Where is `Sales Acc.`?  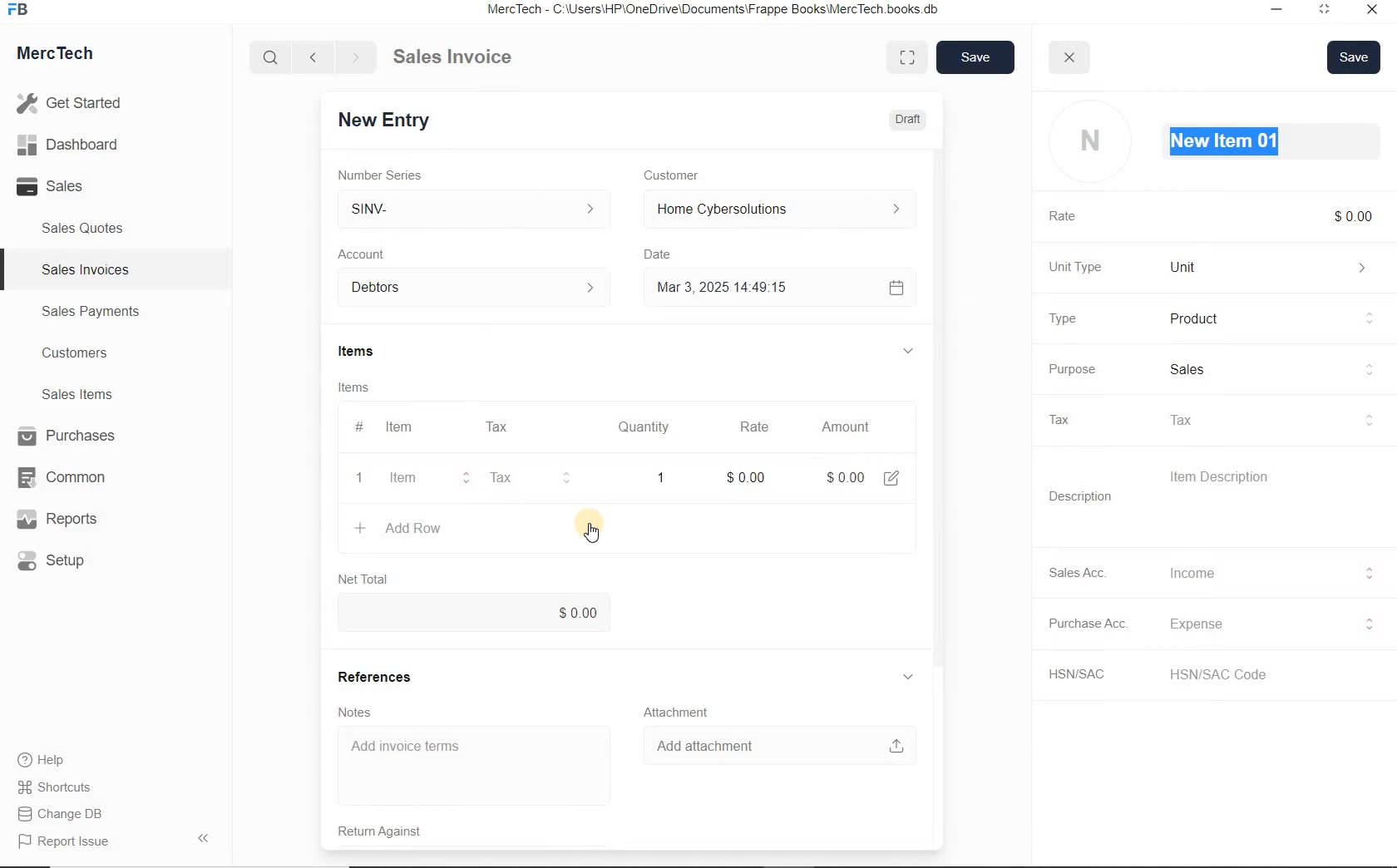 Sales Acc. is located at coordinates (1081, 572).